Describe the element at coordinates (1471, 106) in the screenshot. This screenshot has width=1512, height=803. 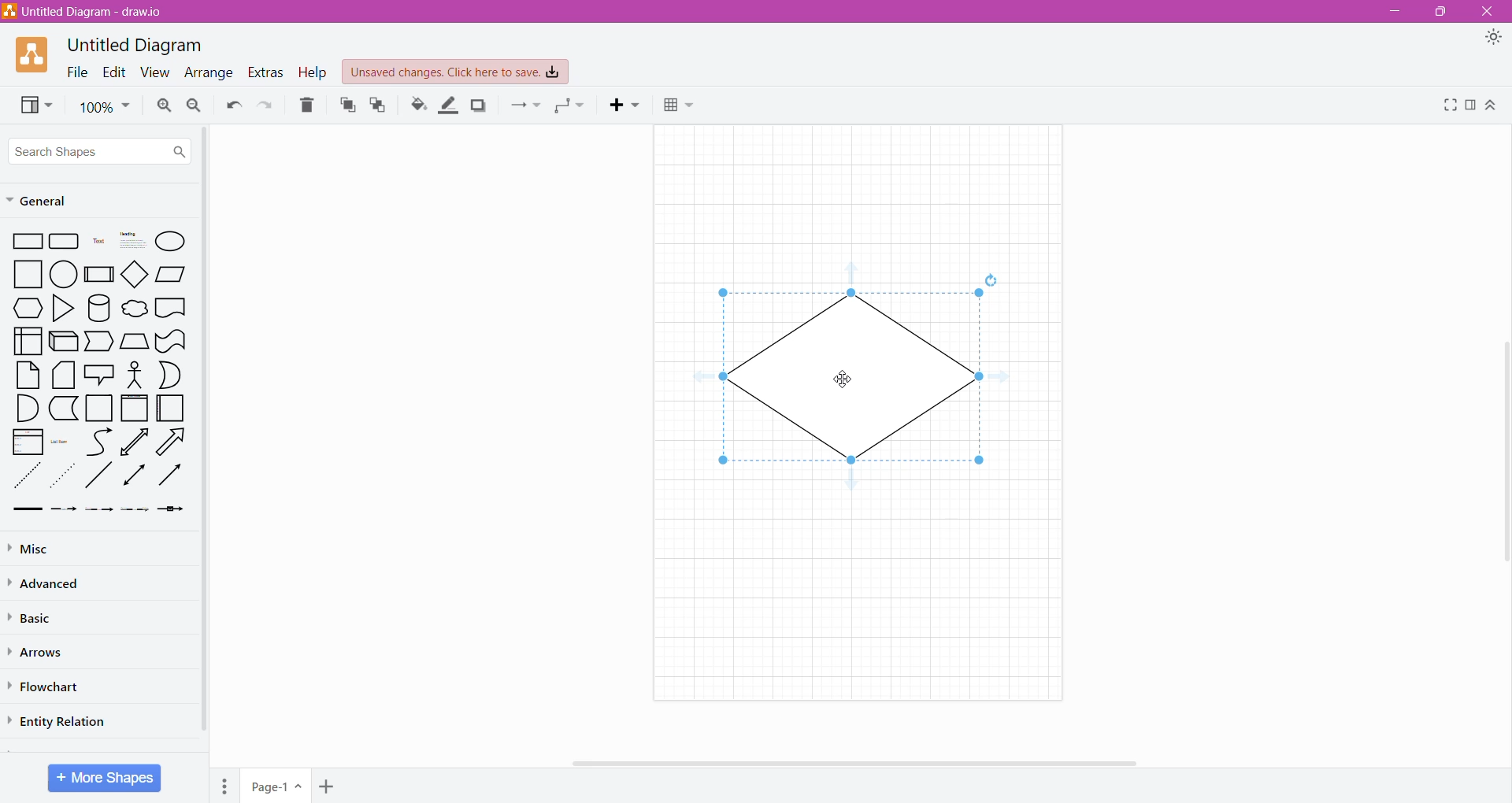
I see `Format` at that location.